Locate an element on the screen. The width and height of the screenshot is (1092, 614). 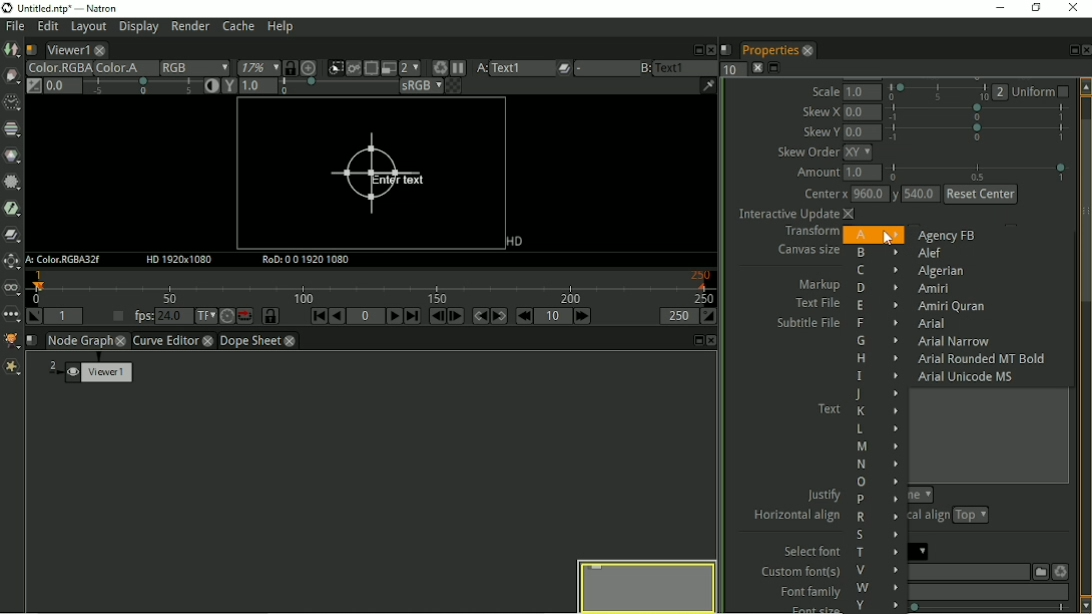
 is located at coordinates (13, 130).